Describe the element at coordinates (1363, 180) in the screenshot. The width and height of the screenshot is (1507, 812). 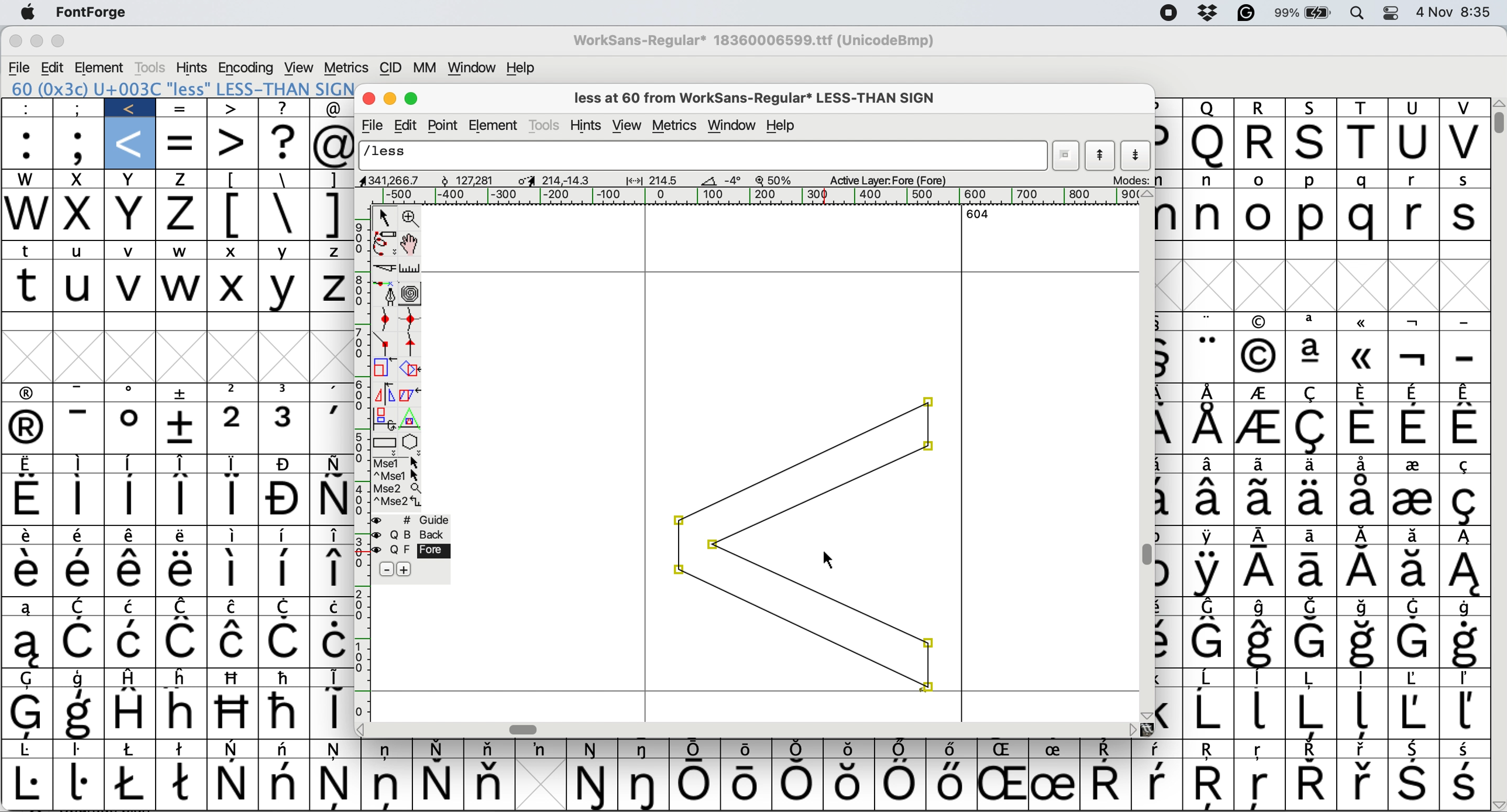
I see `q` at that location.